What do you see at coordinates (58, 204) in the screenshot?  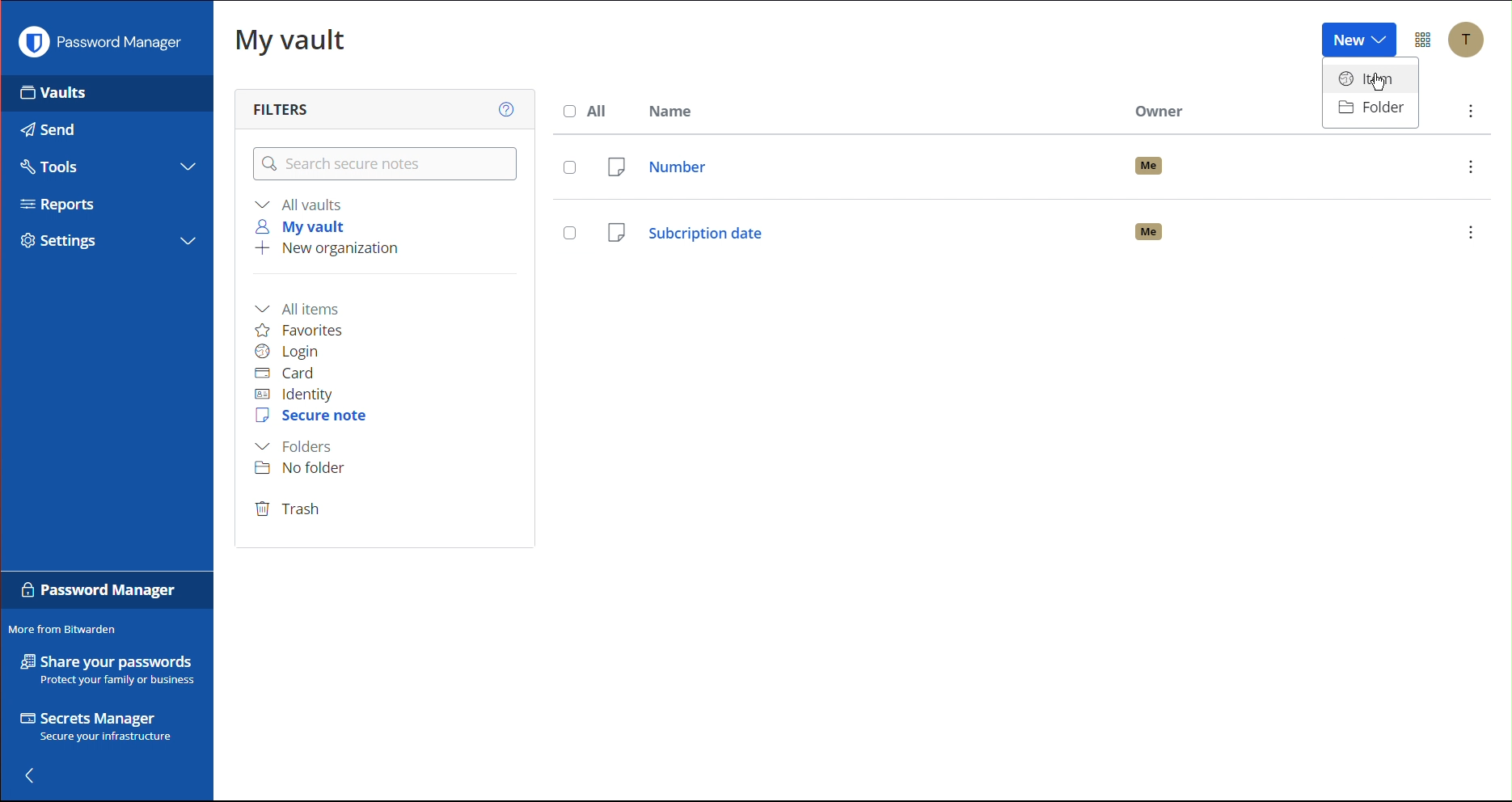 I see `Reports` at bounding box center [58, 204].